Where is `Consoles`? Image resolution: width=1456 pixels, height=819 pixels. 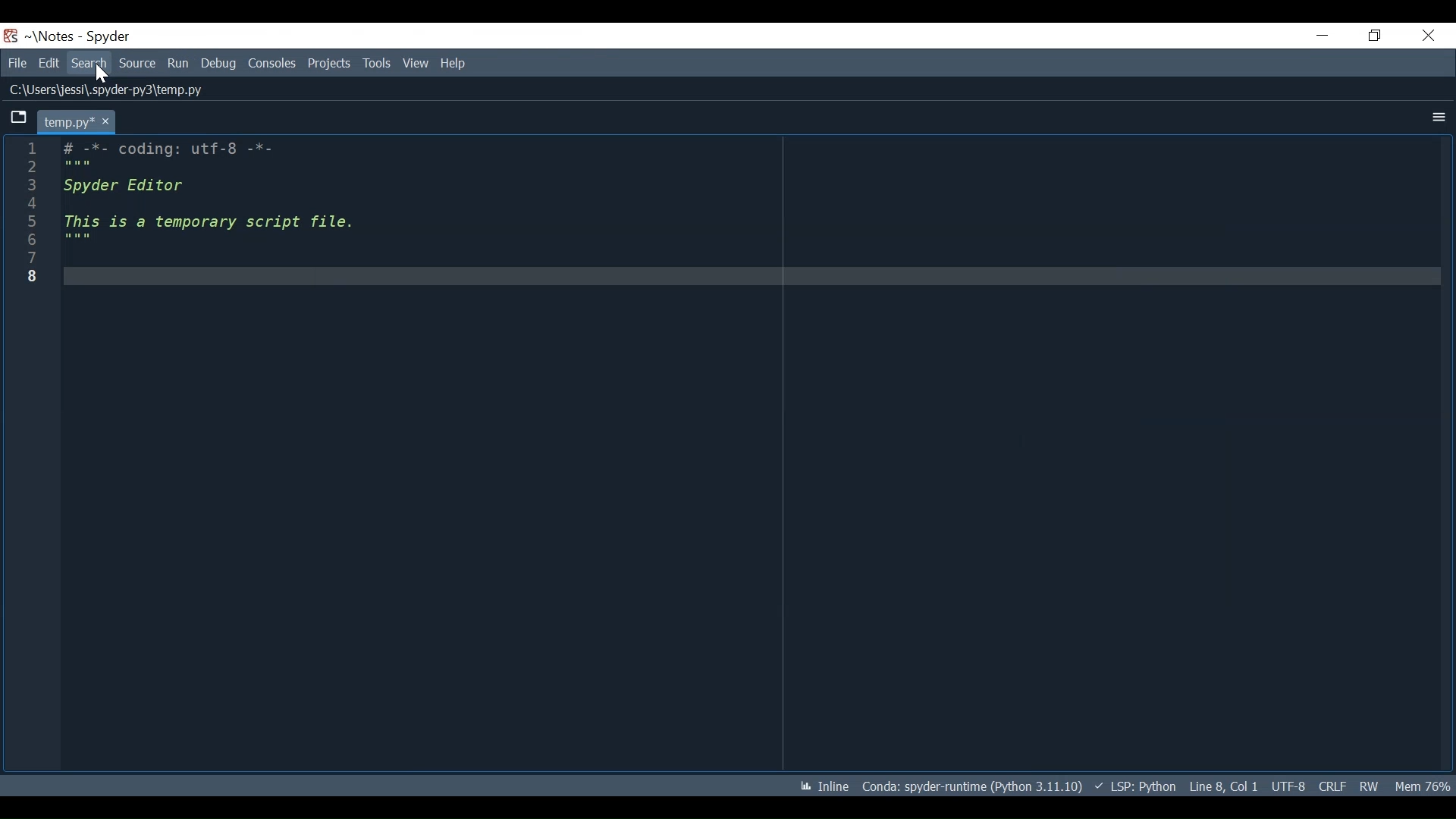
Consoles is located at coordinates (271, 64).